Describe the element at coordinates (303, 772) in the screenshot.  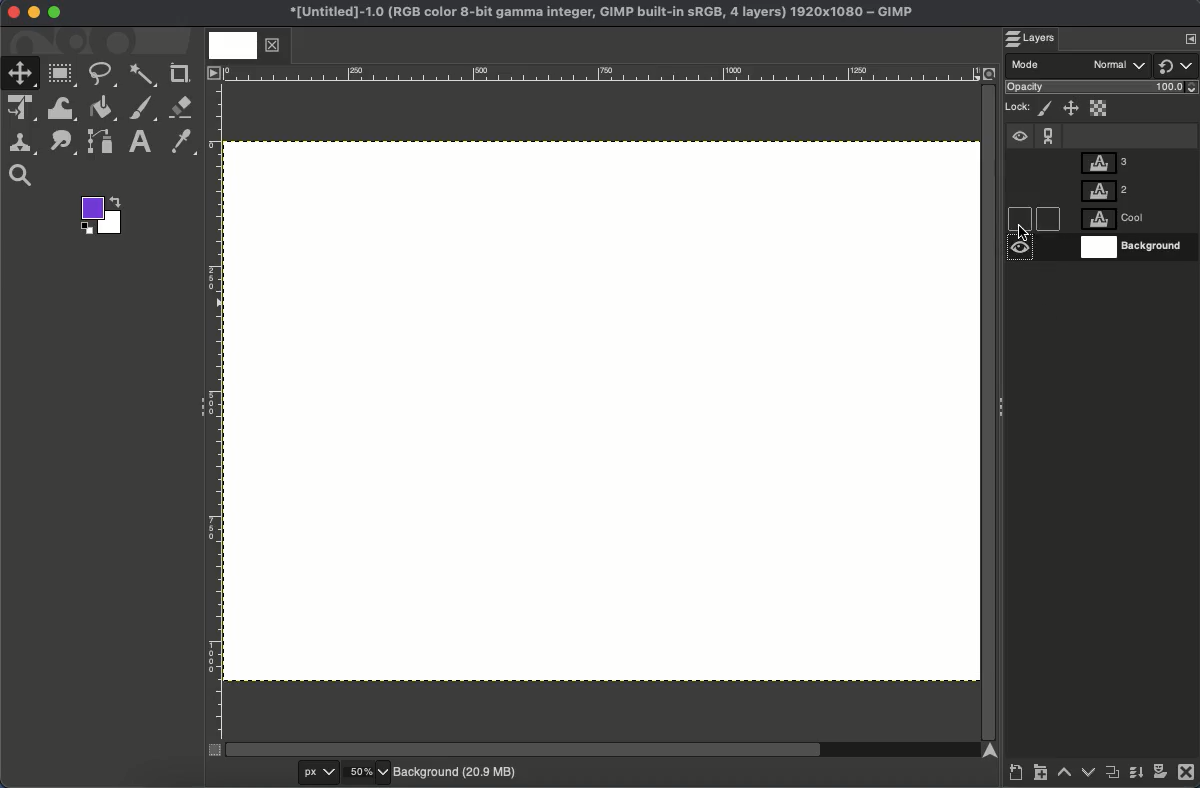
I see `px` at that location.